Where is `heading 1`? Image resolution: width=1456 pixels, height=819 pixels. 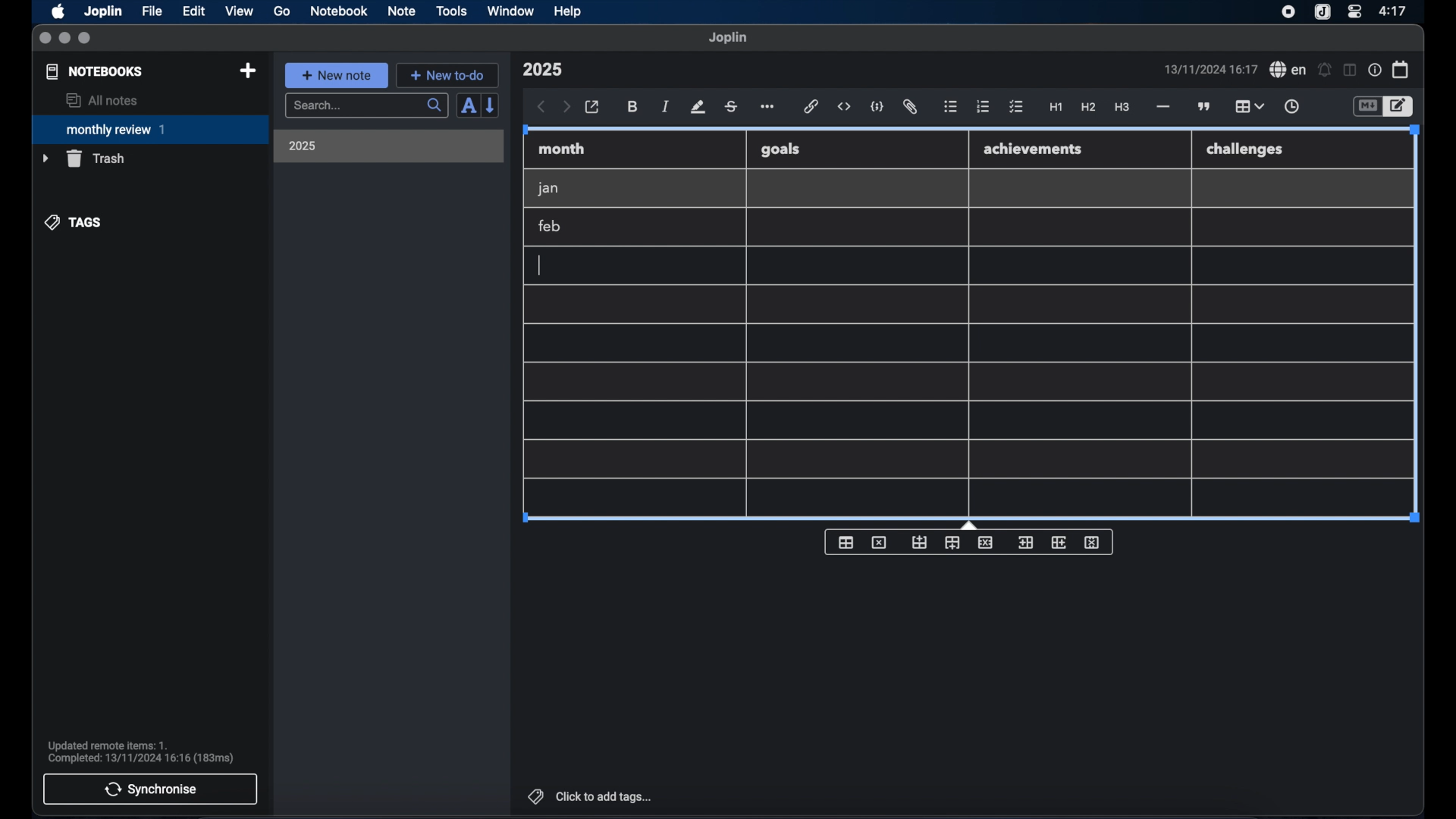
heading 1 is located at coordinates (1056, 108).